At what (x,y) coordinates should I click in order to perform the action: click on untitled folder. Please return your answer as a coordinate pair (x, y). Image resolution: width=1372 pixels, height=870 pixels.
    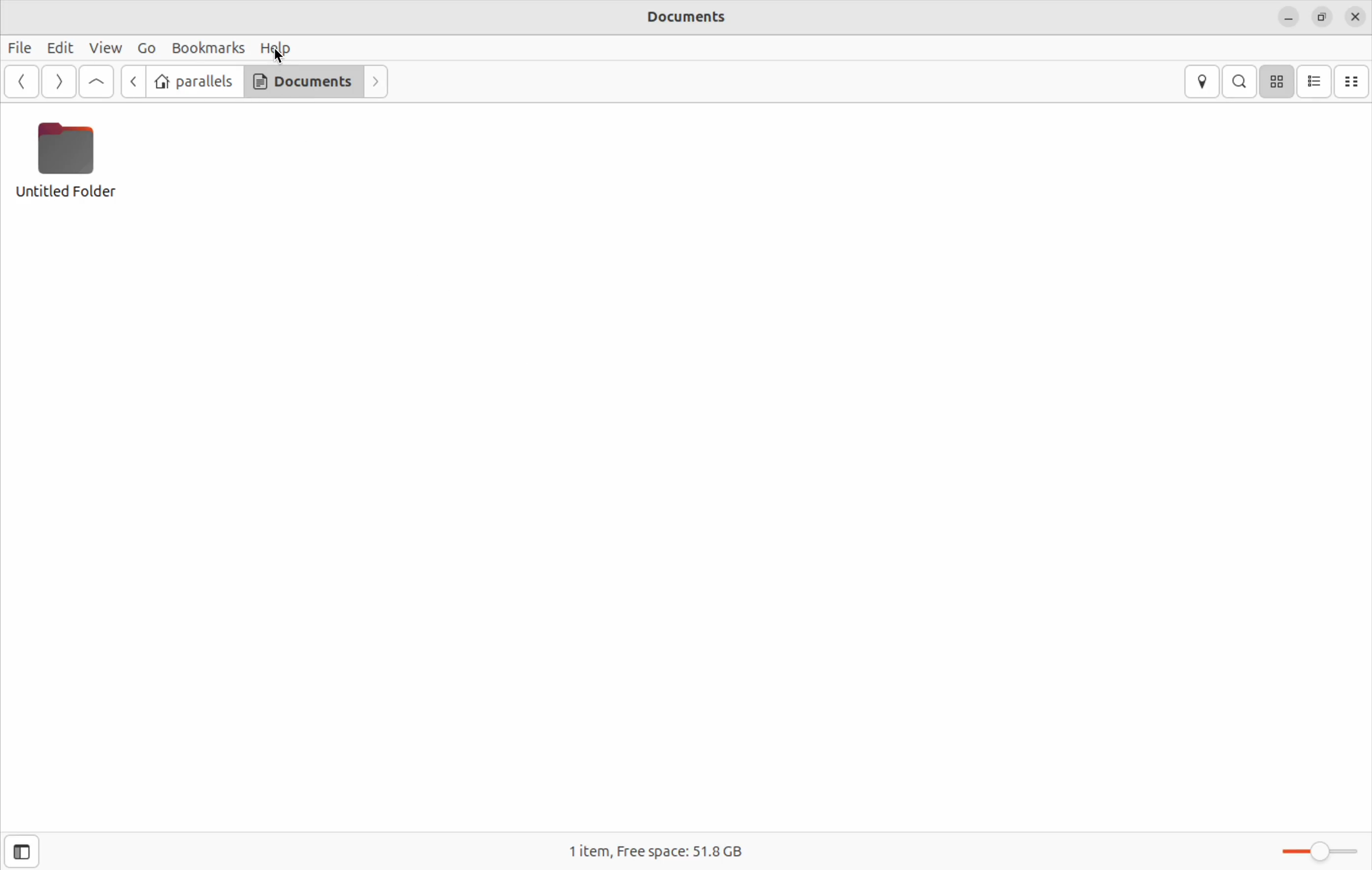
    Looking at the image, I should click on (76, 168).